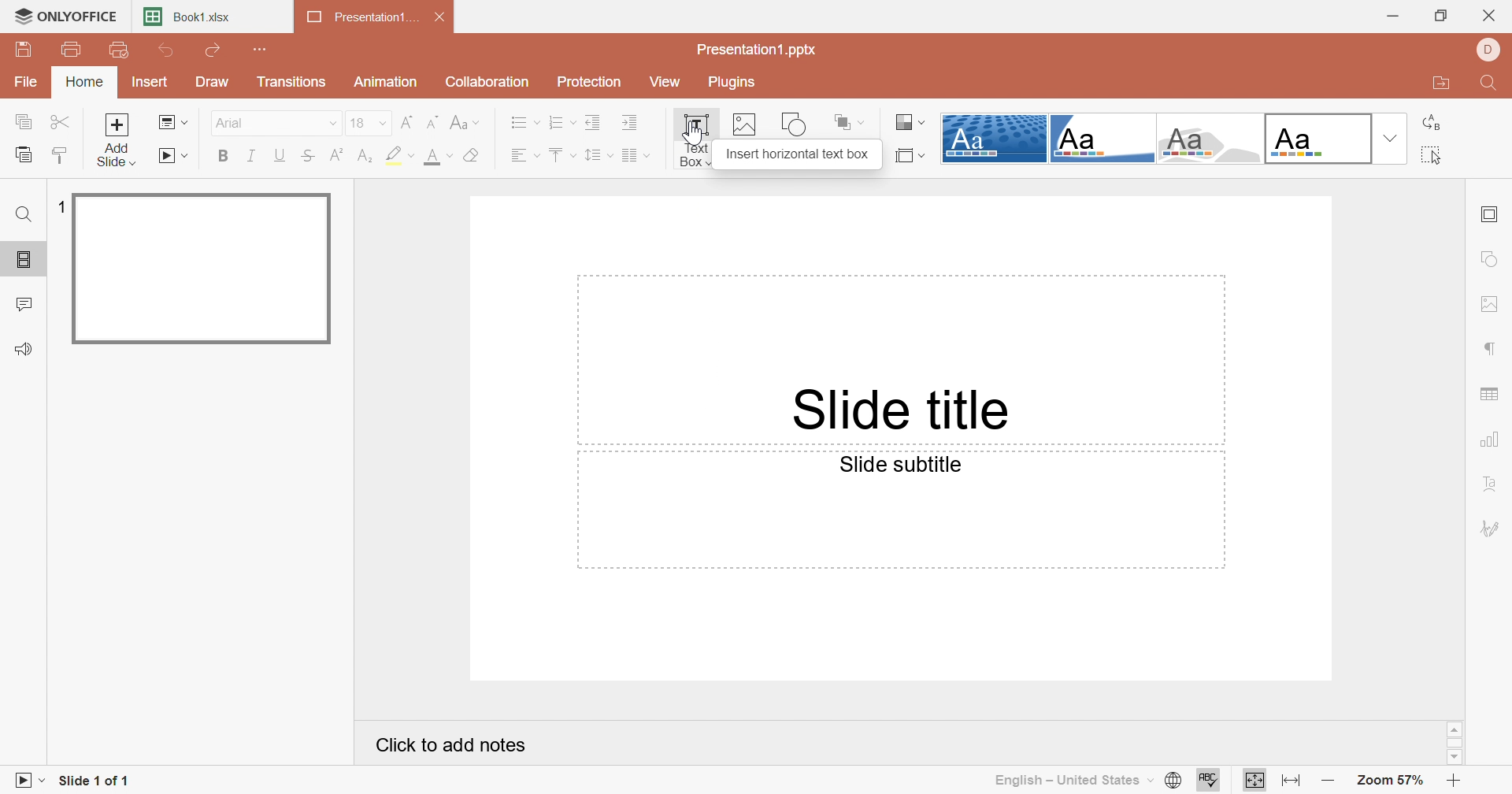 The image size is (1512, 794). Describe the element at coordinates (847, 121) in the screenshot. I see `Arrange shape` at that location.